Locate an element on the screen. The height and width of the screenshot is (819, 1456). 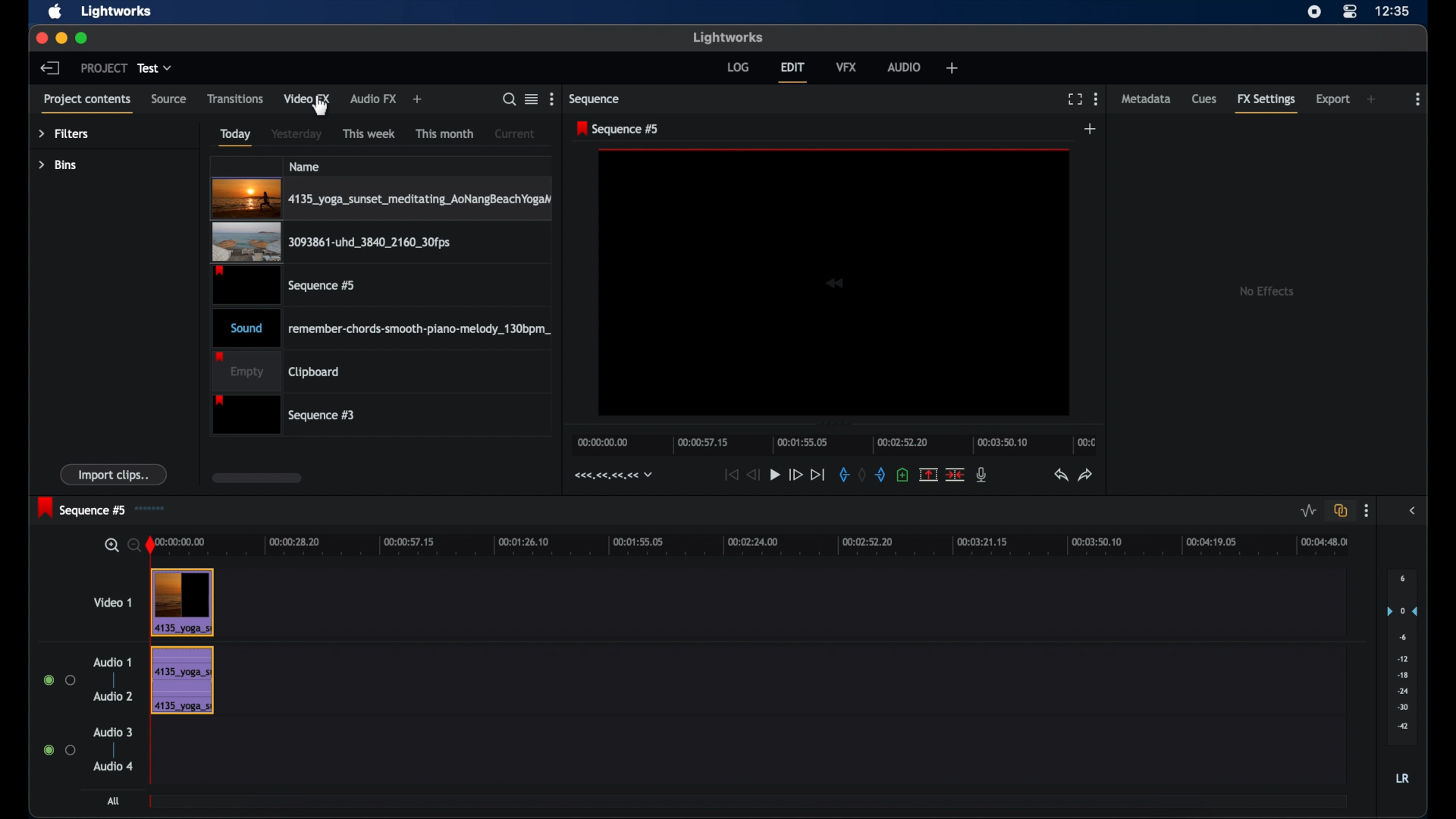
remove marked section is located at coordinates (929, 473).